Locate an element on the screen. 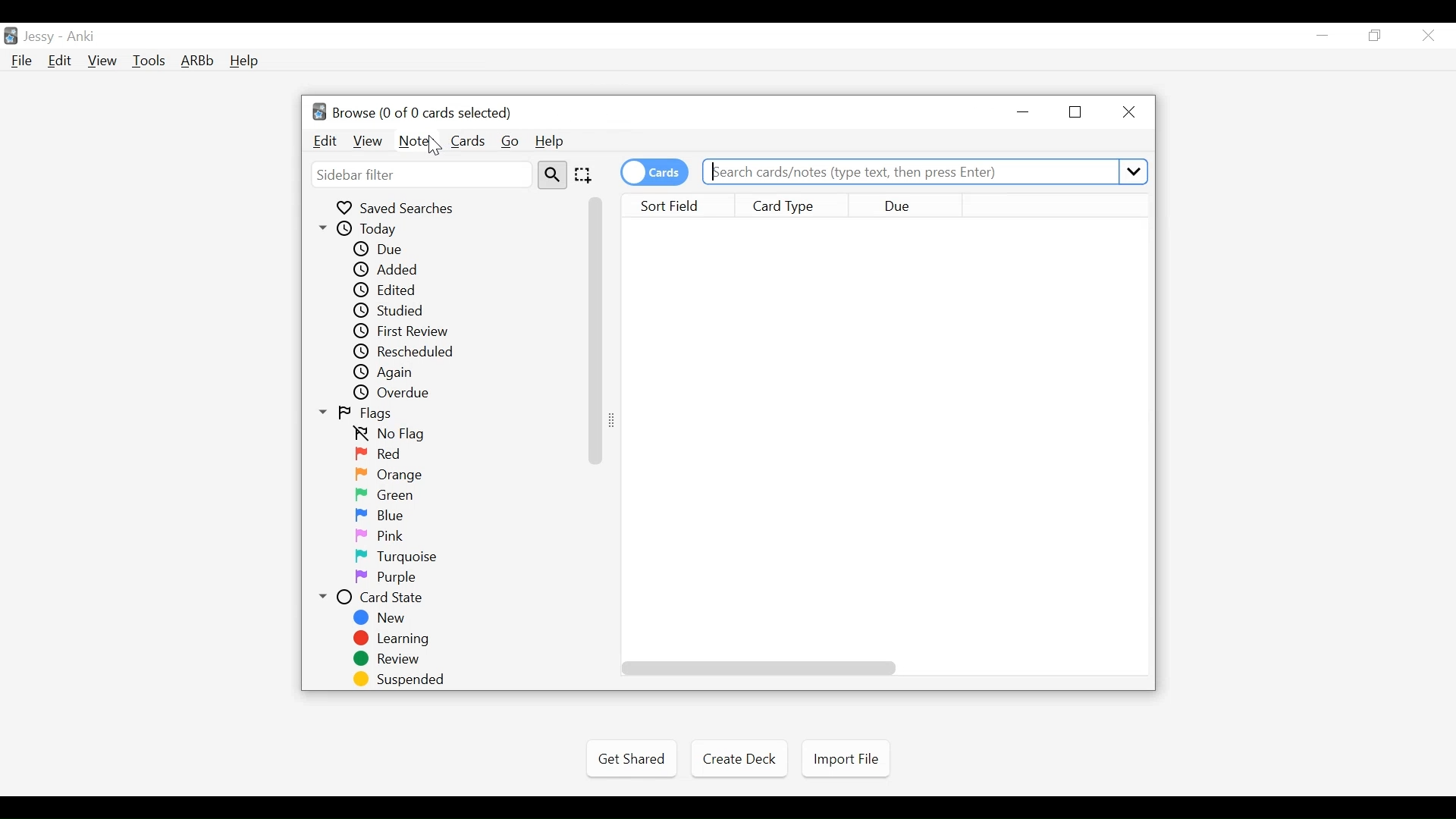 This screenshot has width=1456, height=819. View is located at coordinates (103, 61).